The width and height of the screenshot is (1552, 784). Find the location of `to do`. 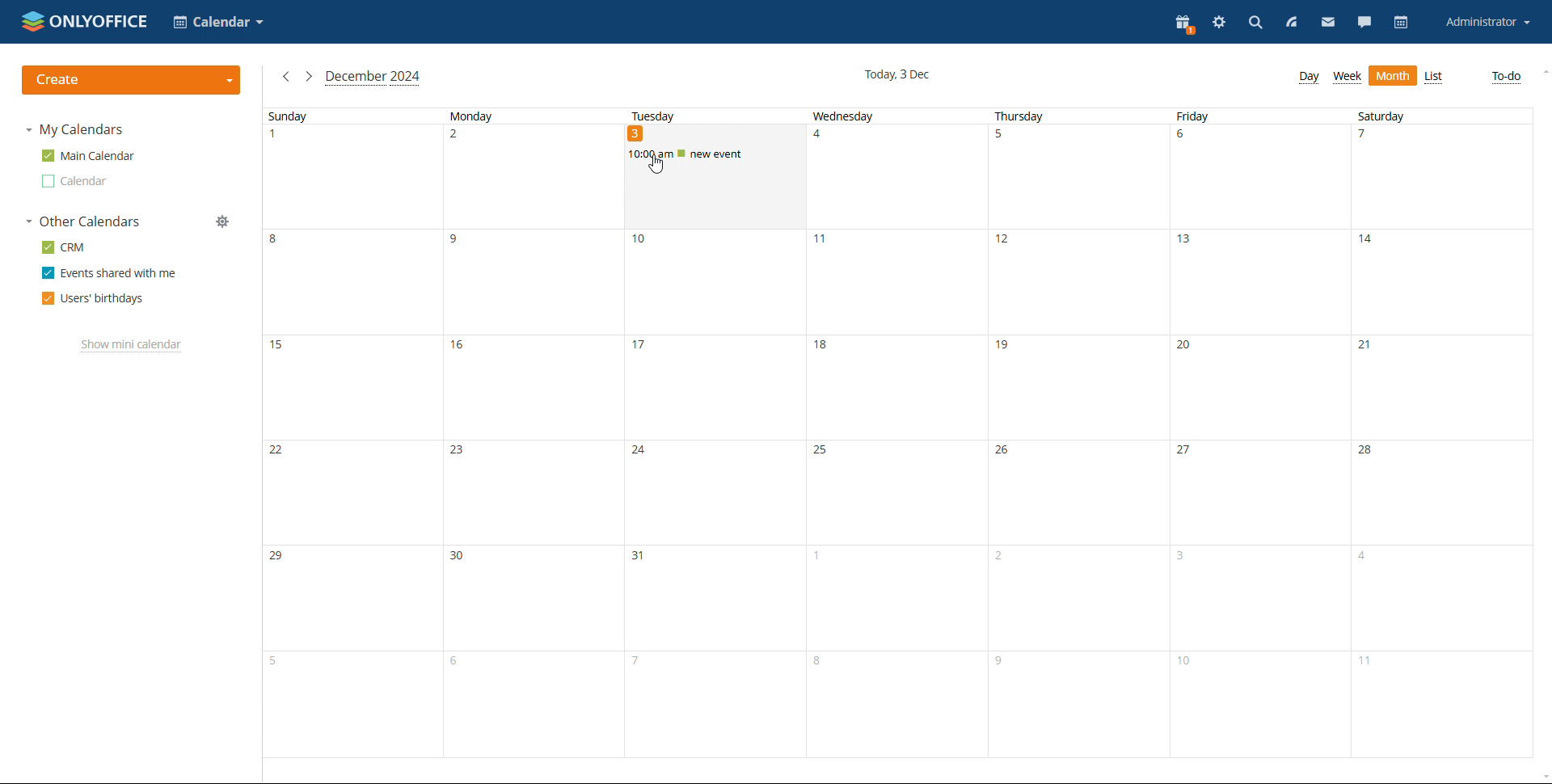

to do is located at coordinates (1508, 78).